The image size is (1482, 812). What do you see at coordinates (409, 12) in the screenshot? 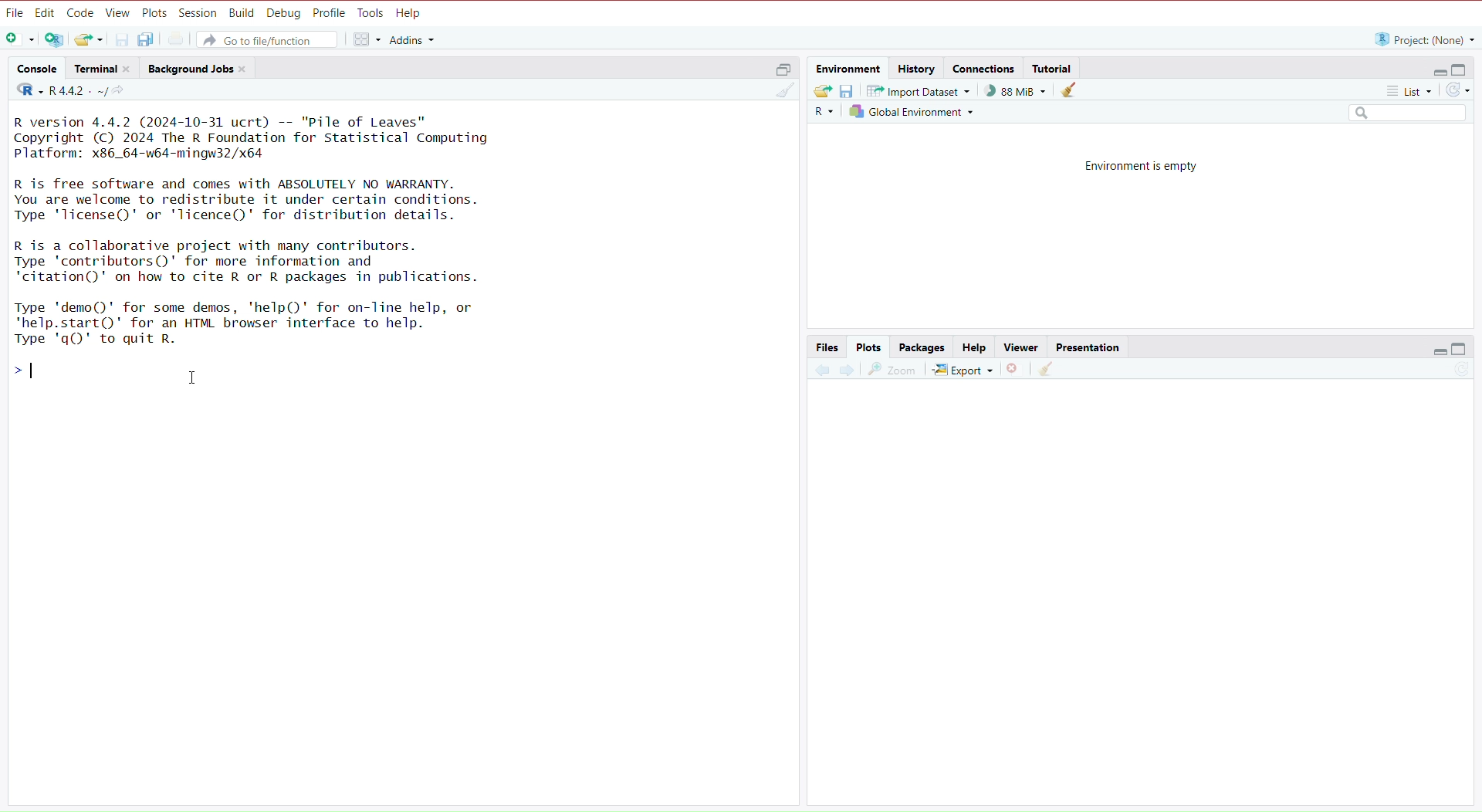
I see `Help` at bounding box center [409, 12].